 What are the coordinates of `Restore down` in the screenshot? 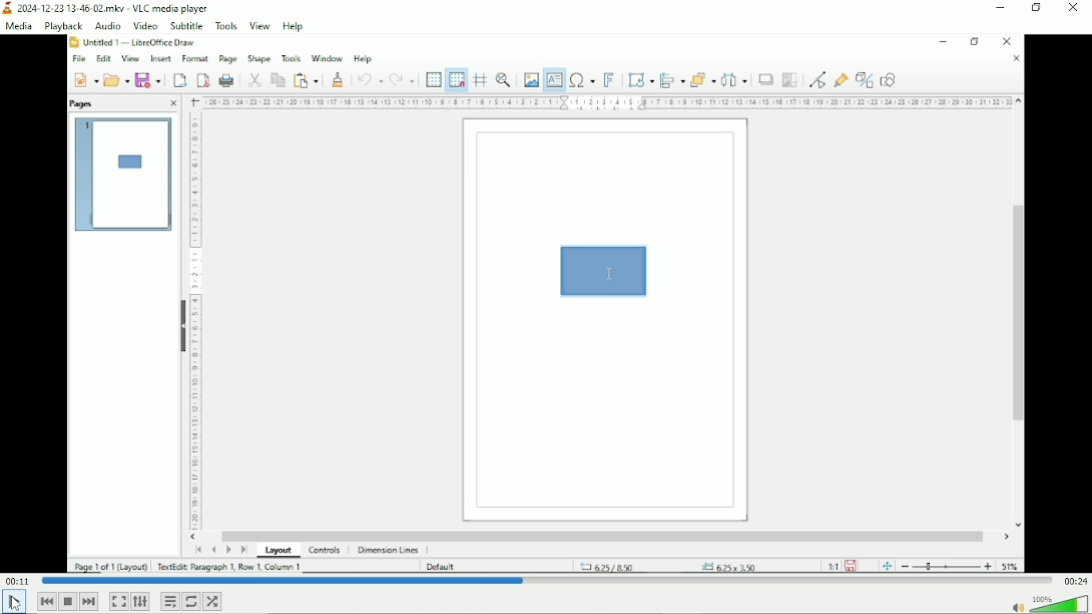 It's located at (1035, 9).